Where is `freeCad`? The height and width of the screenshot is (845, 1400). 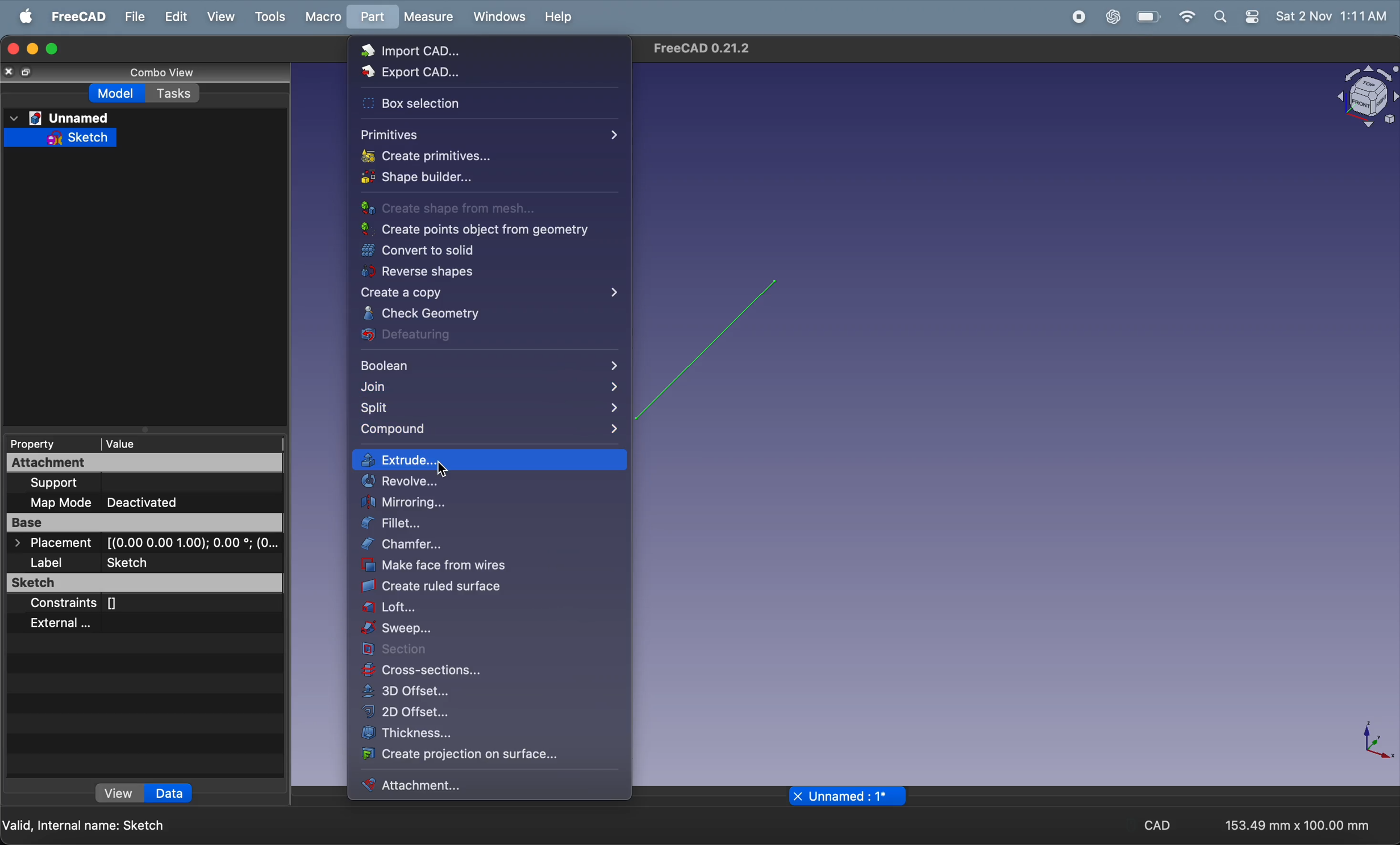 freeCad is located at coordinates (78, 18).